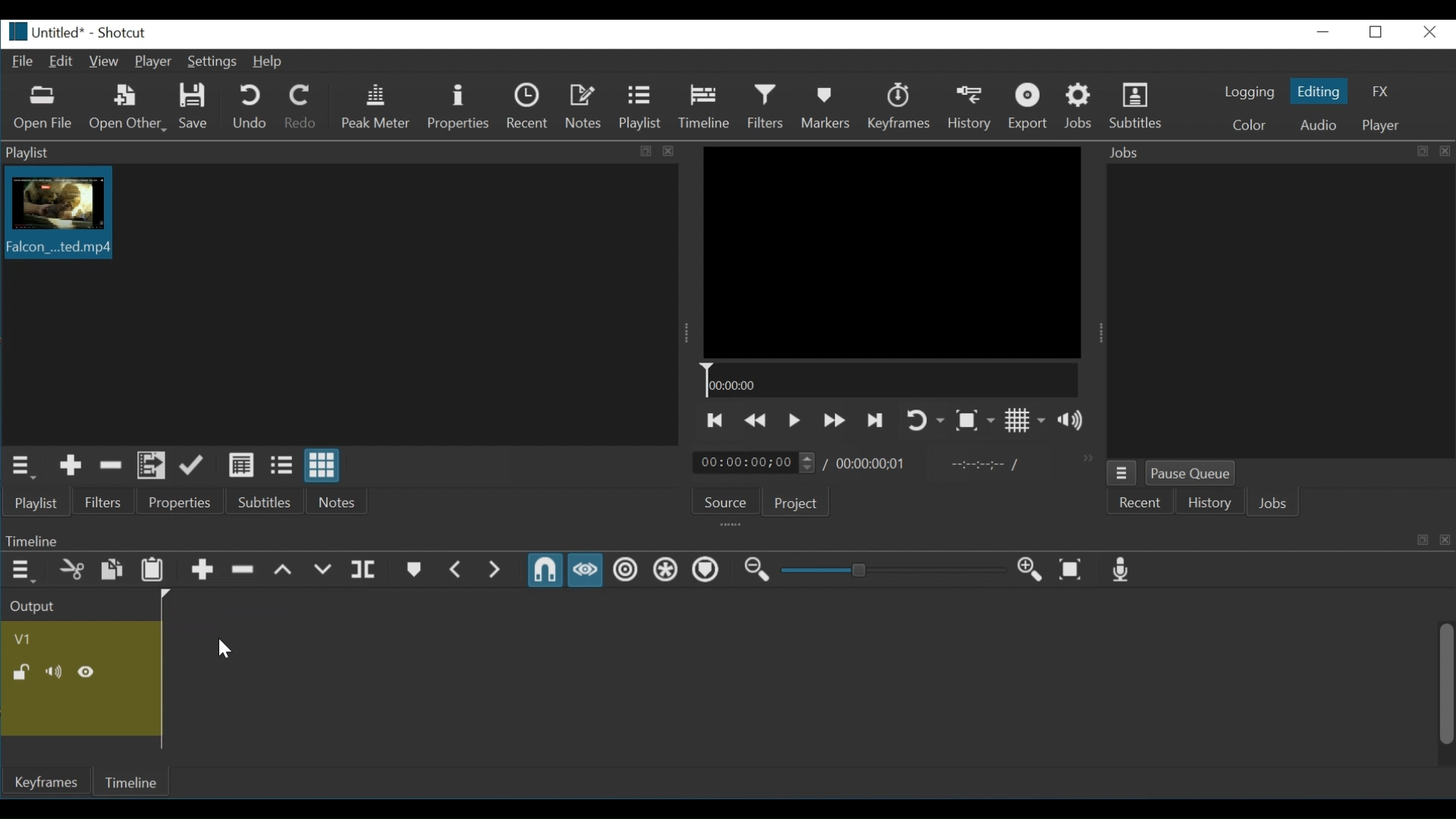 The image size is (1456, 819). I want to click on Recent, so click(1138, 504).